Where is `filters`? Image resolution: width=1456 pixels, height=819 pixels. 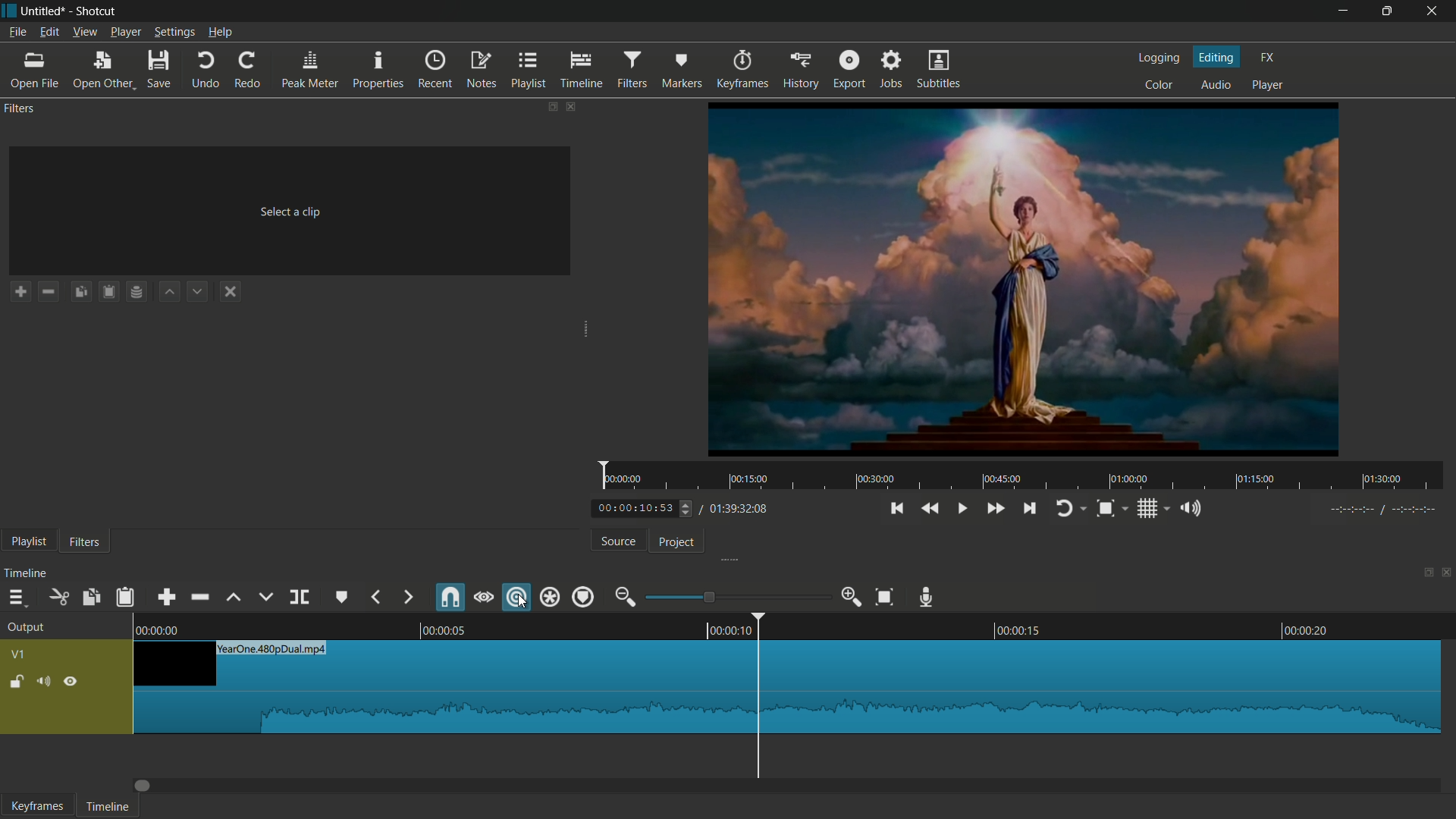
filters is located at coordinates (632, 71).